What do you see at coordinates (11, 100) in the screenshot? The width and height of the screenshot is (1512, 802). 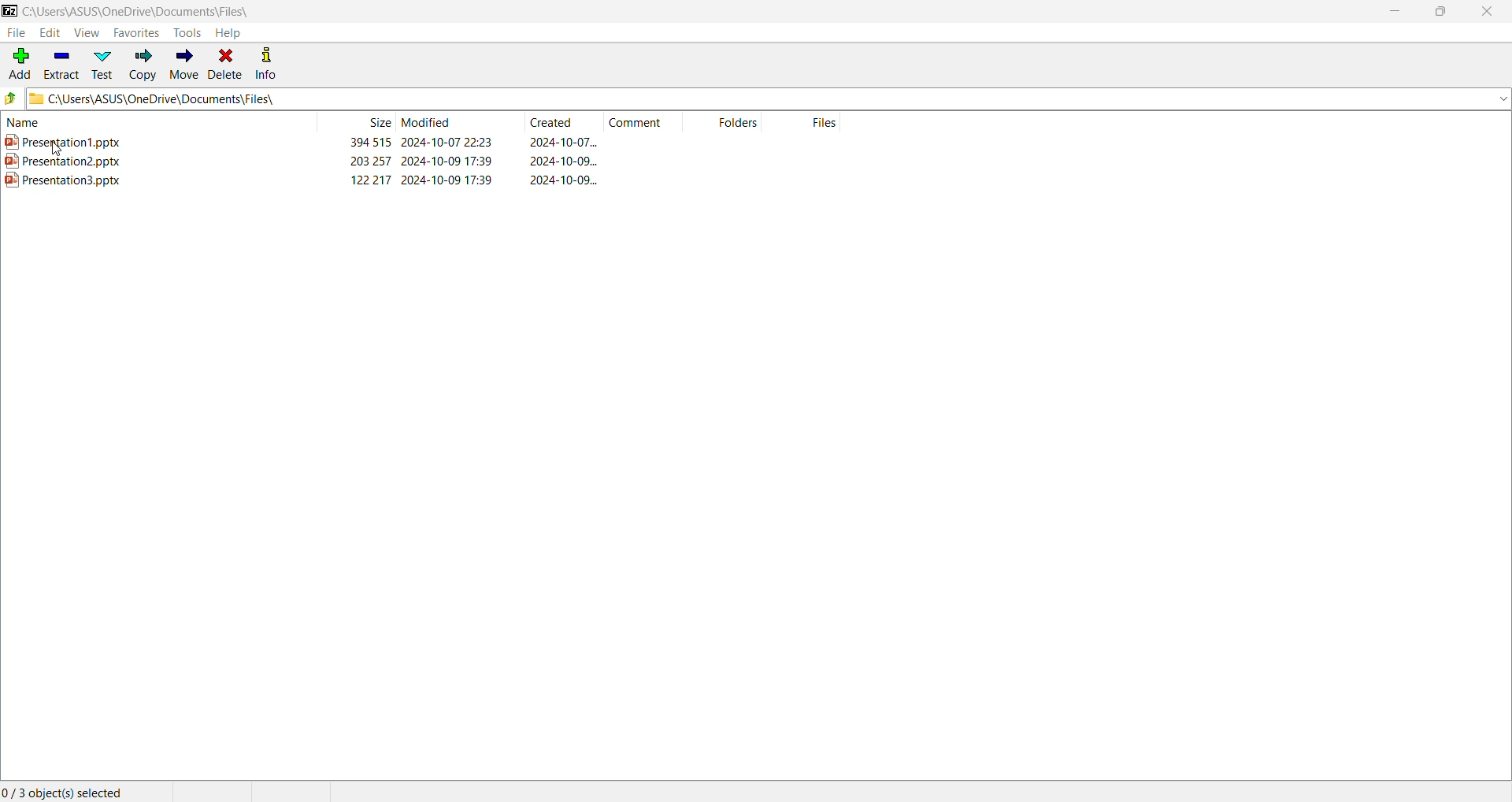 I see `Move back one step` at bounding box center [11, 100].